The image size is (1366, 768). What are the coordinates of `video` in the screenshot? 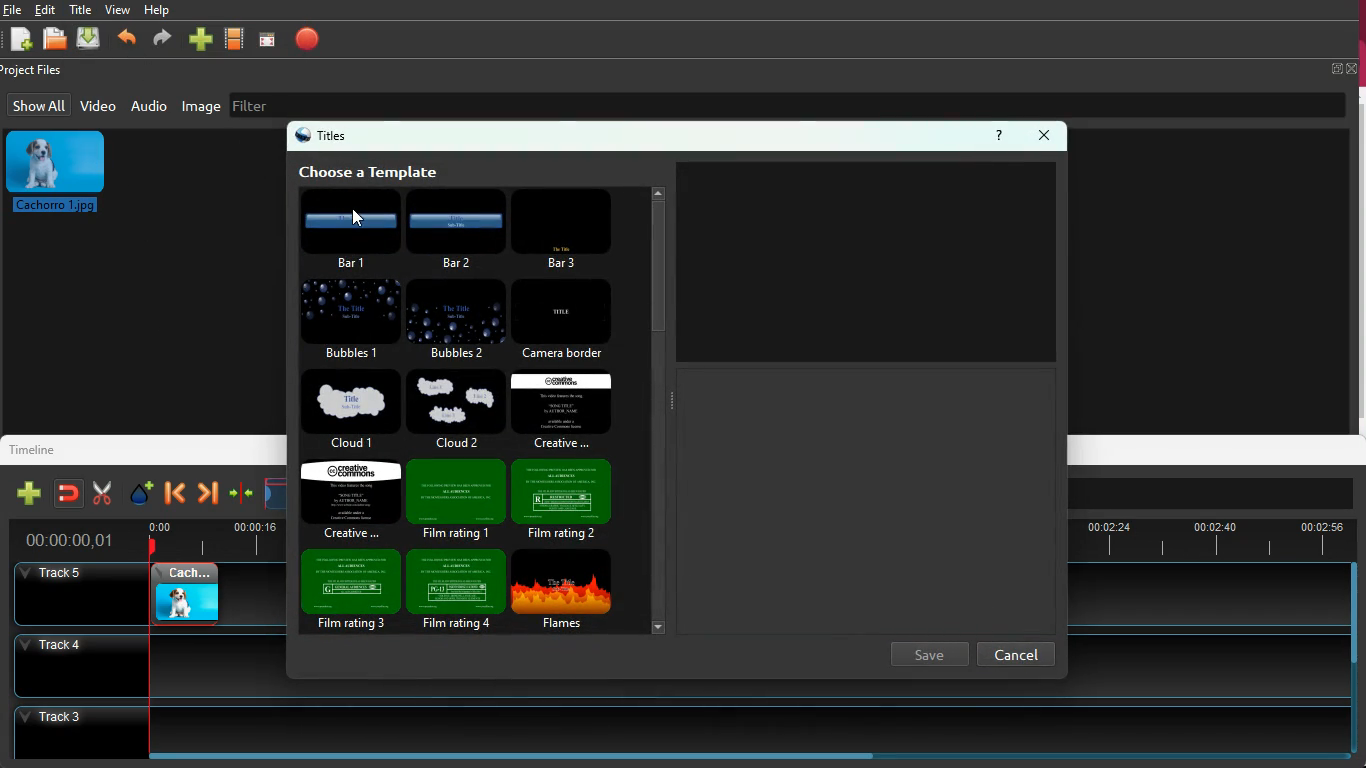 It's located at (98, 105).